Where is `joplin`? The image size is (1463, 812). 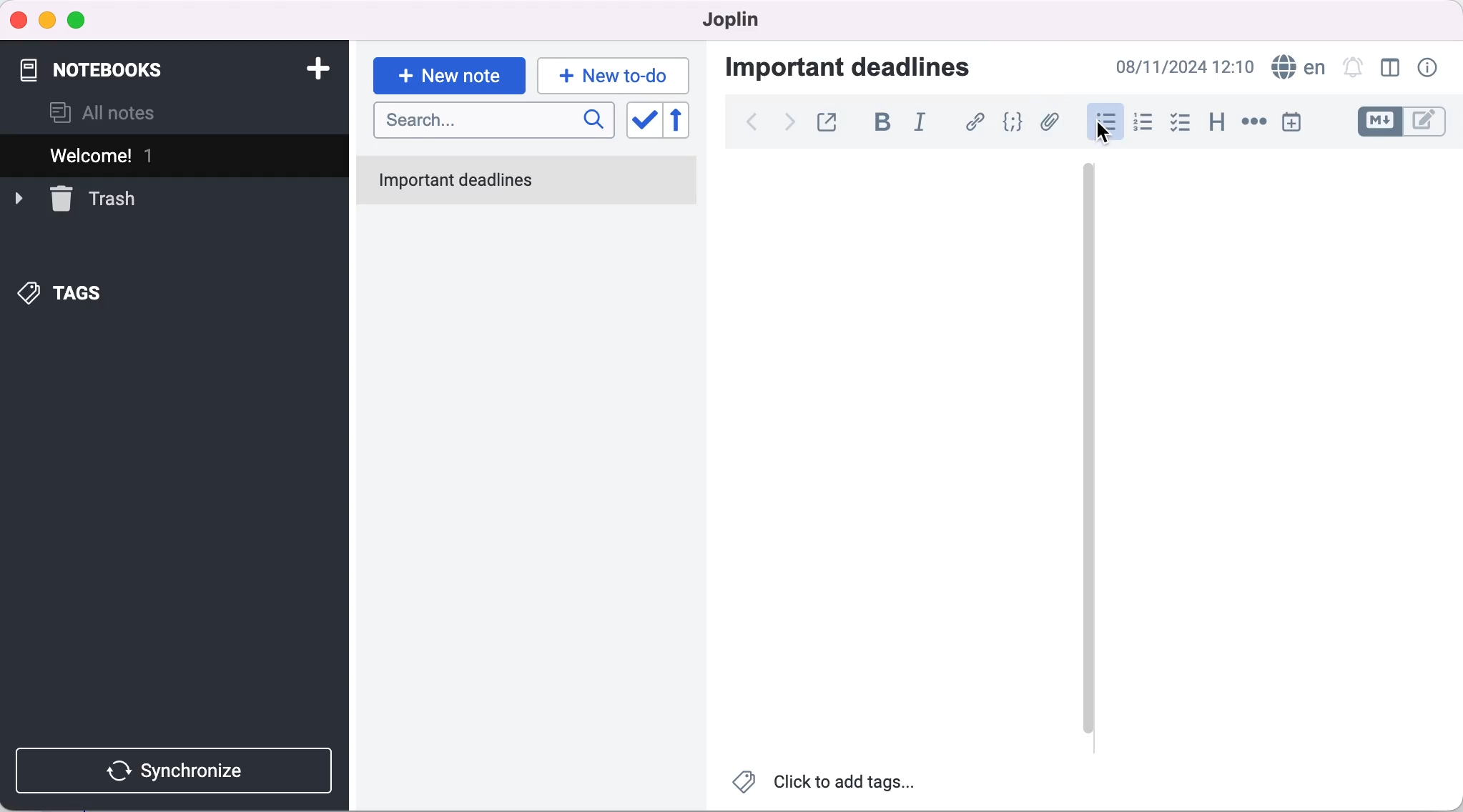
joplin is located at coordinates (735, 21).